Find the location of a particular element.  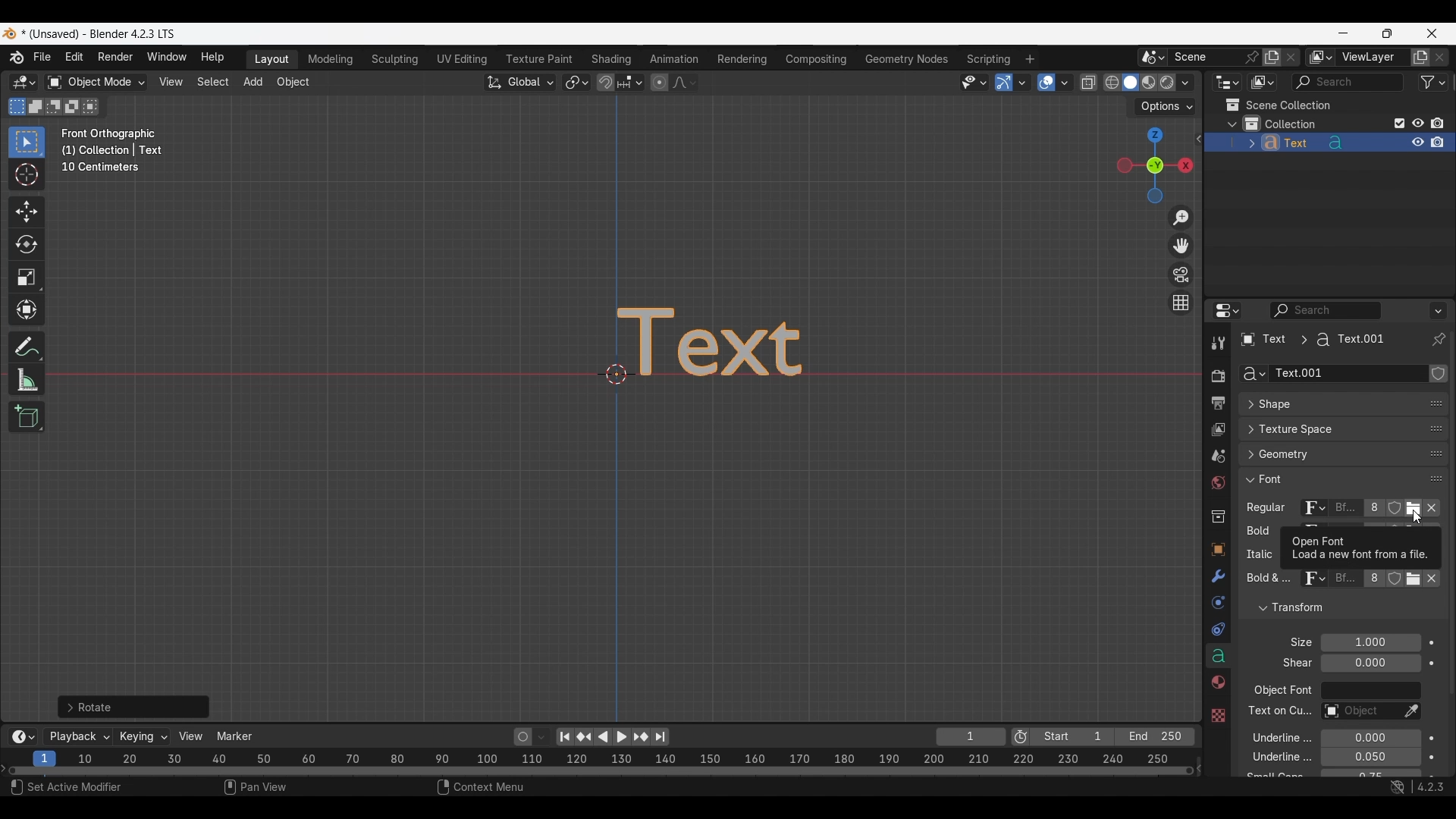

text is located at coordinates (1293, 664).